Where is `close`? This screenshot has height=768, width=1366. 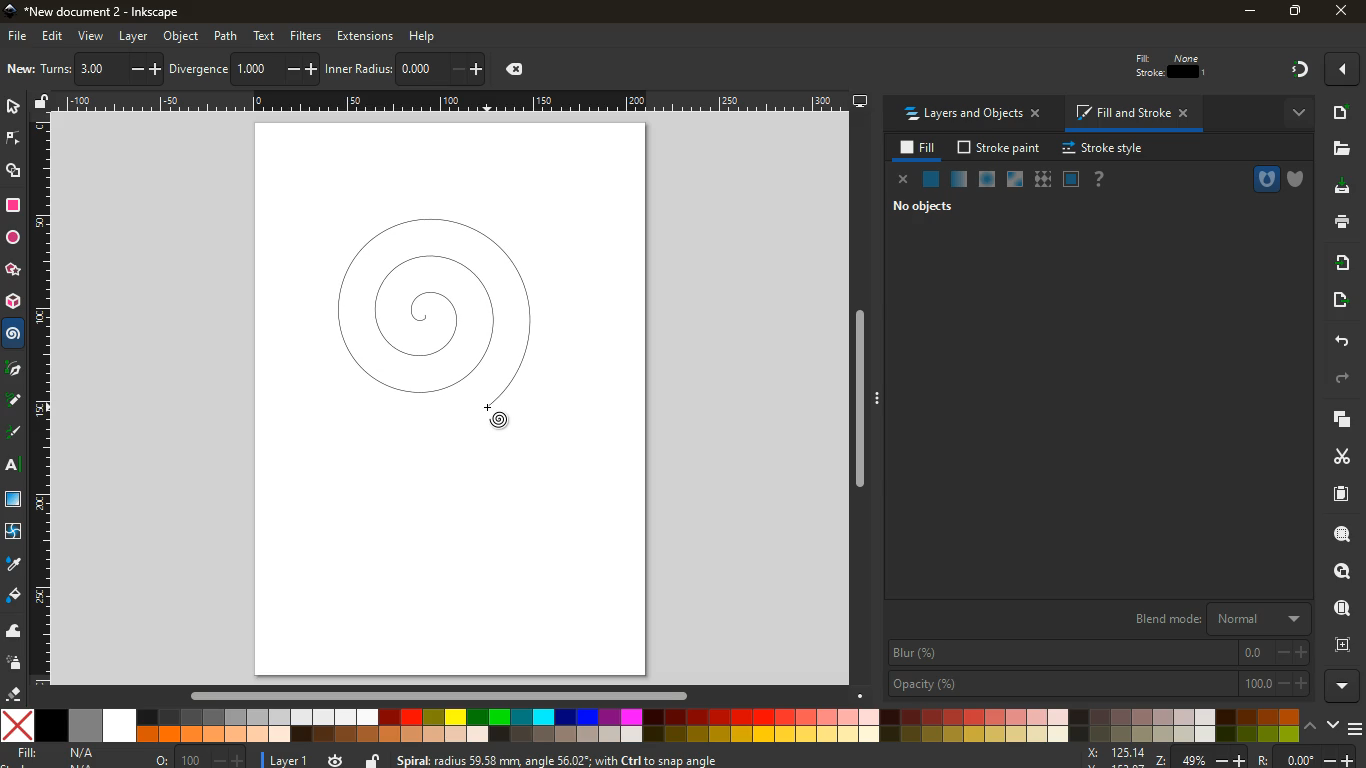 close is located at coordinates (903, 179).